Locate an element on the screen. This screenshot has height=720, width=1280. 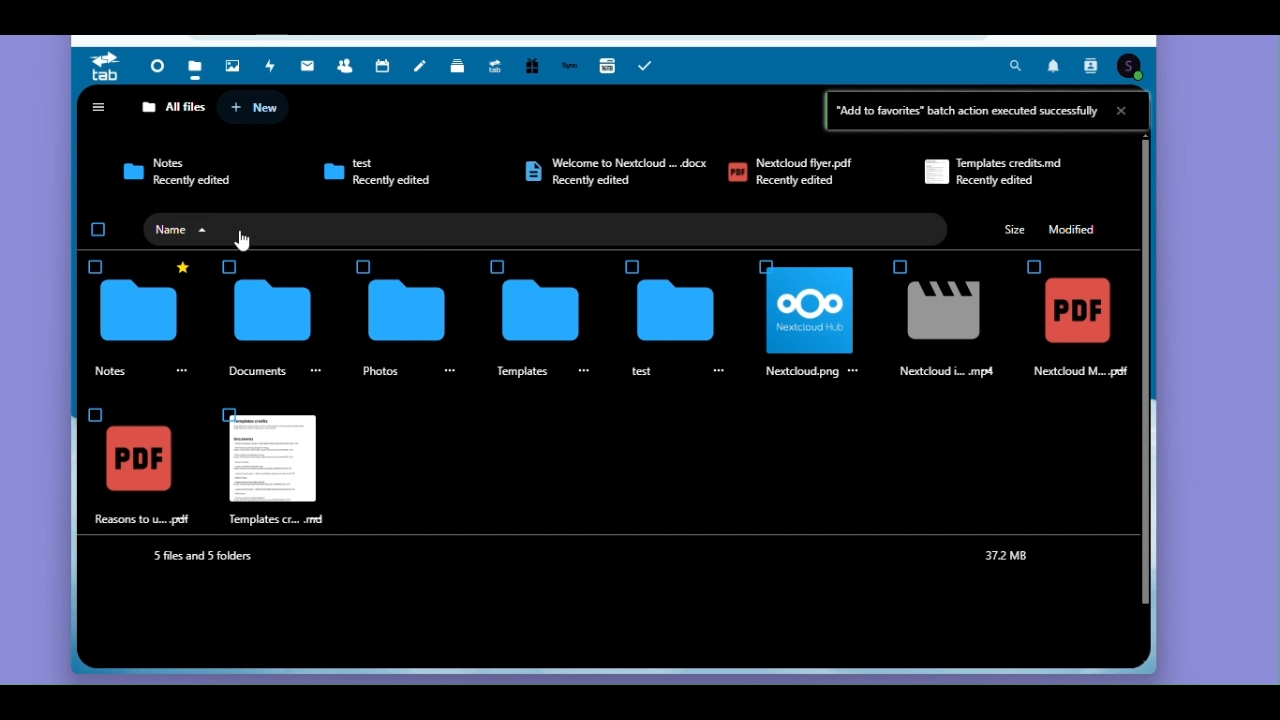
Ellipsis is located at coordinates (721, 371).